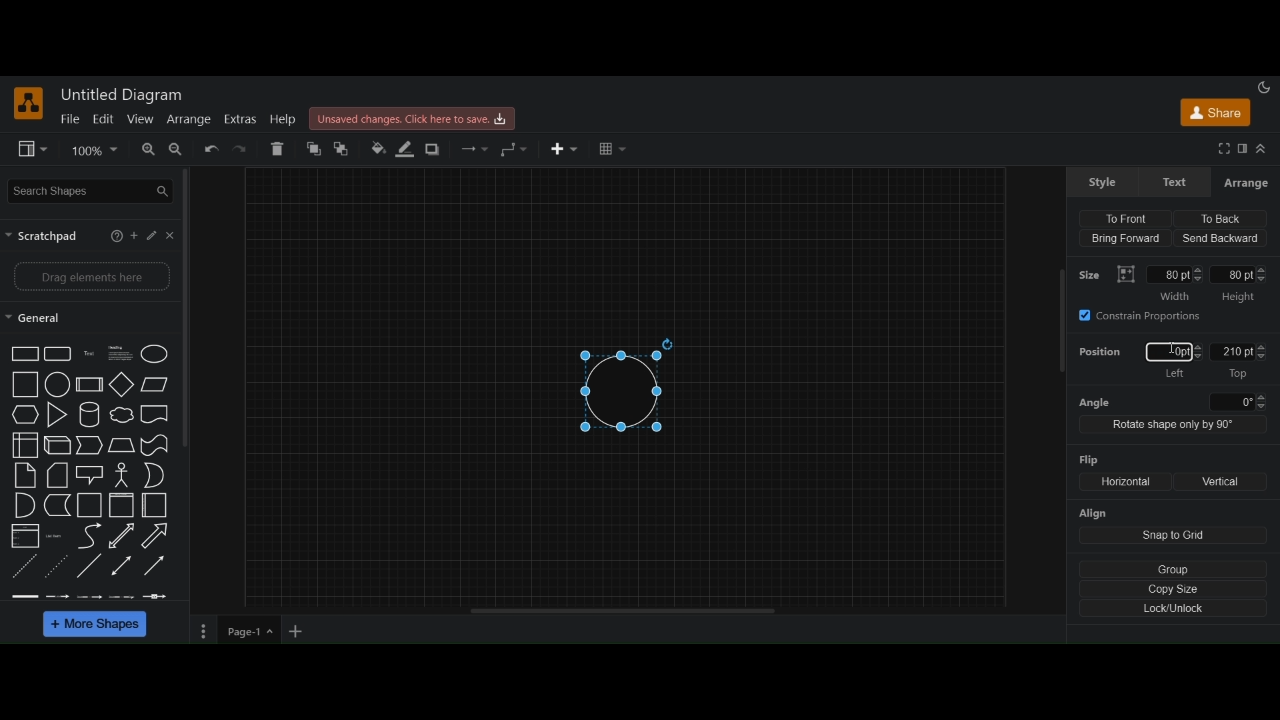 This screenshot has width=1280, height=720. What do you see at coordinates (155, 413) in the screenshot?
I see `square free shape` at bounding box center [155, 413].